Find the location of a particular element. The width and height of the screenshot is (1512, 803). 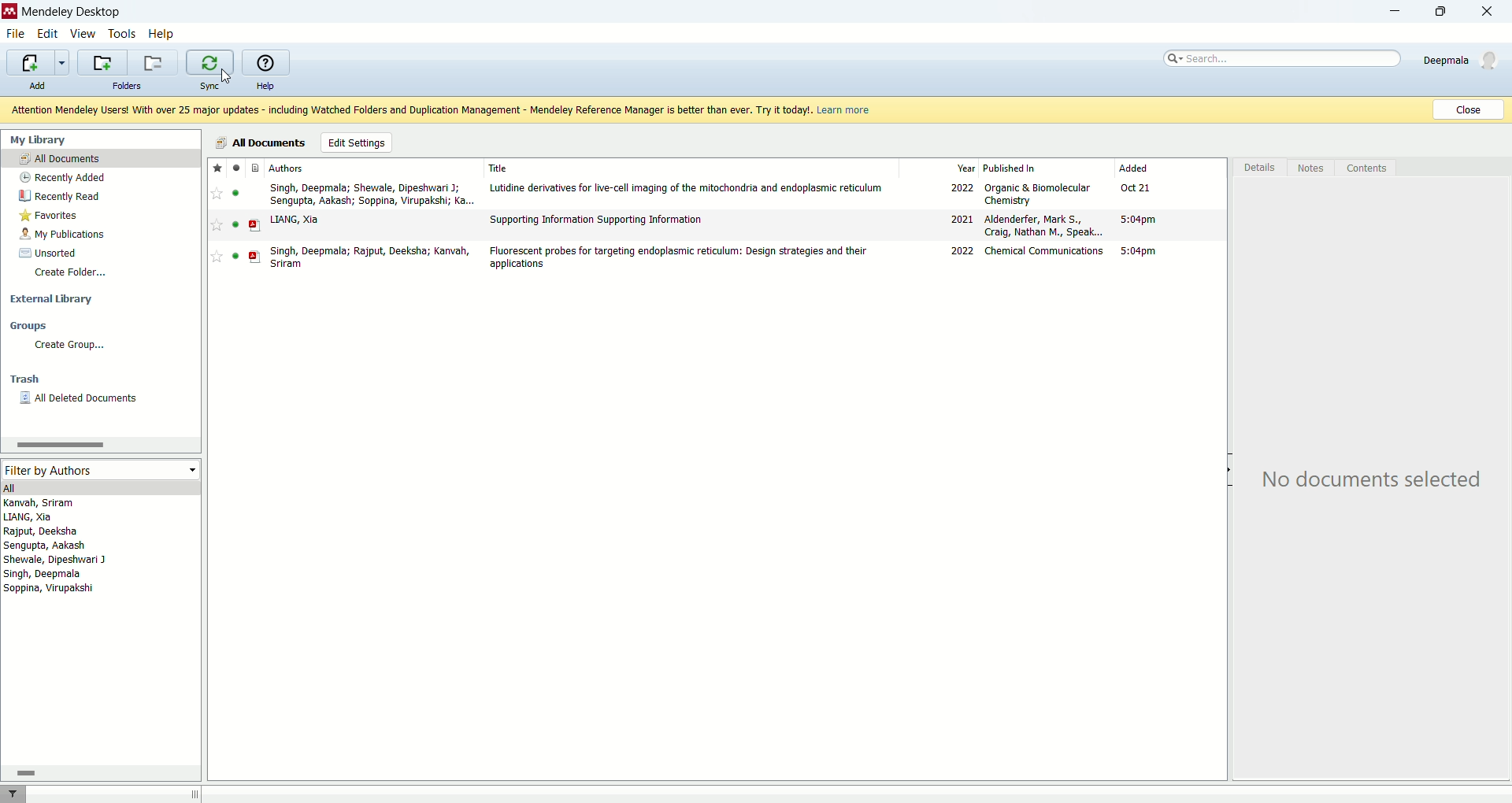

edit is located at coordinates (48, 35).